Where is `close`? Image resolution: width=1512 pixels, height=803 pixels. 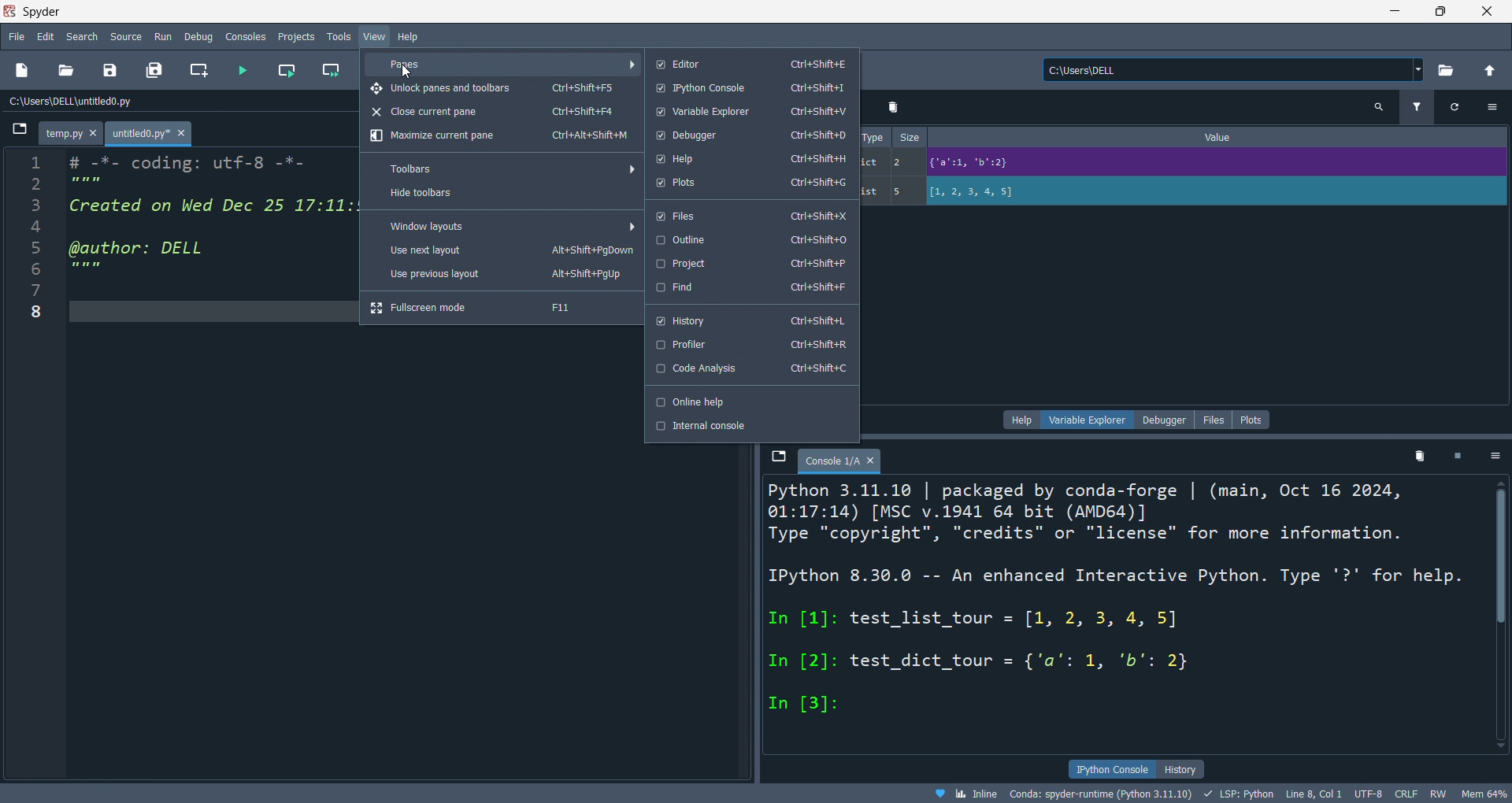
close is located at coordinates (1488, 11).